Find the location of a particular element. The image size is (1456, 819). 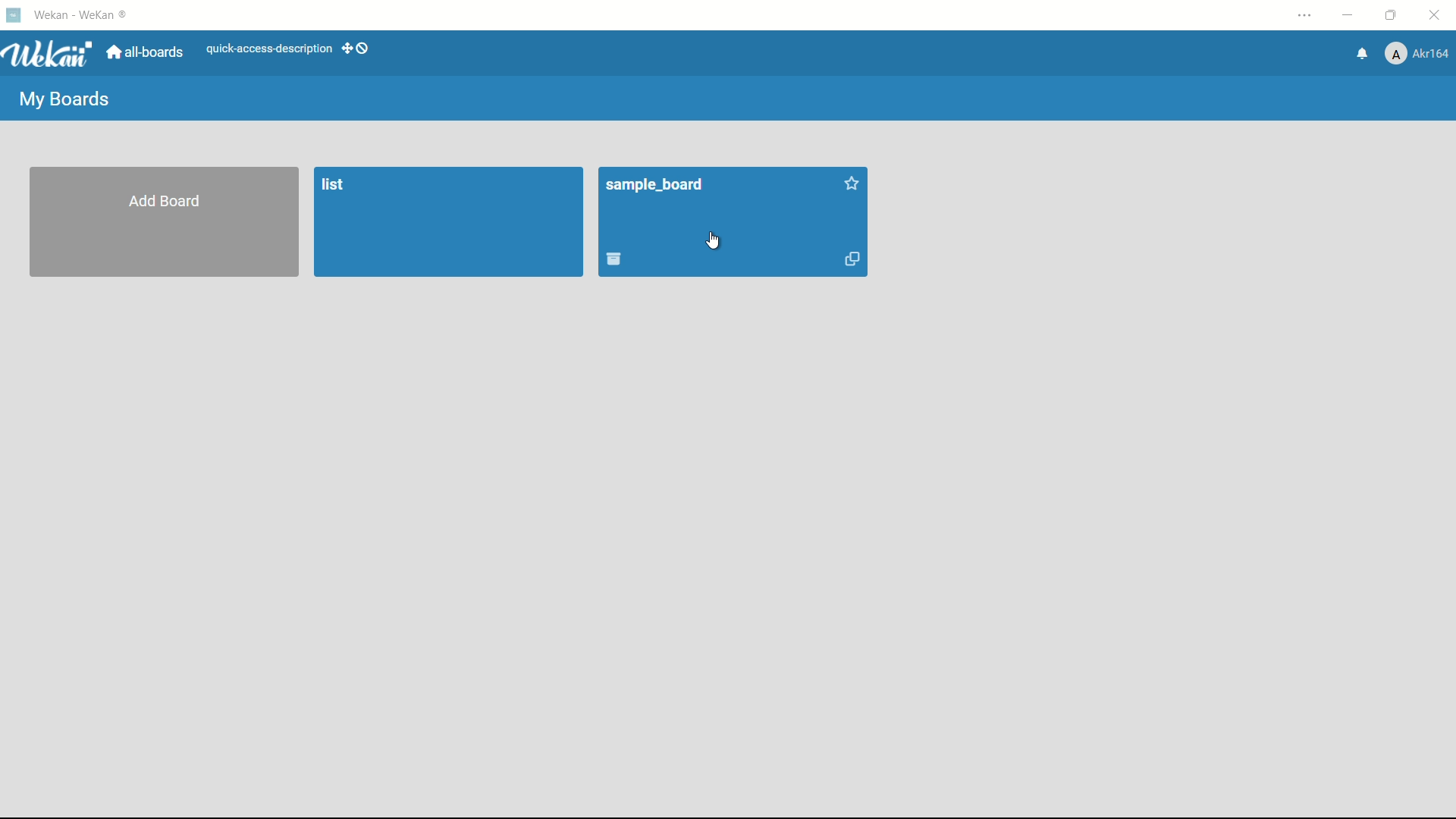

minimize is located at coordinates (1350, 15).